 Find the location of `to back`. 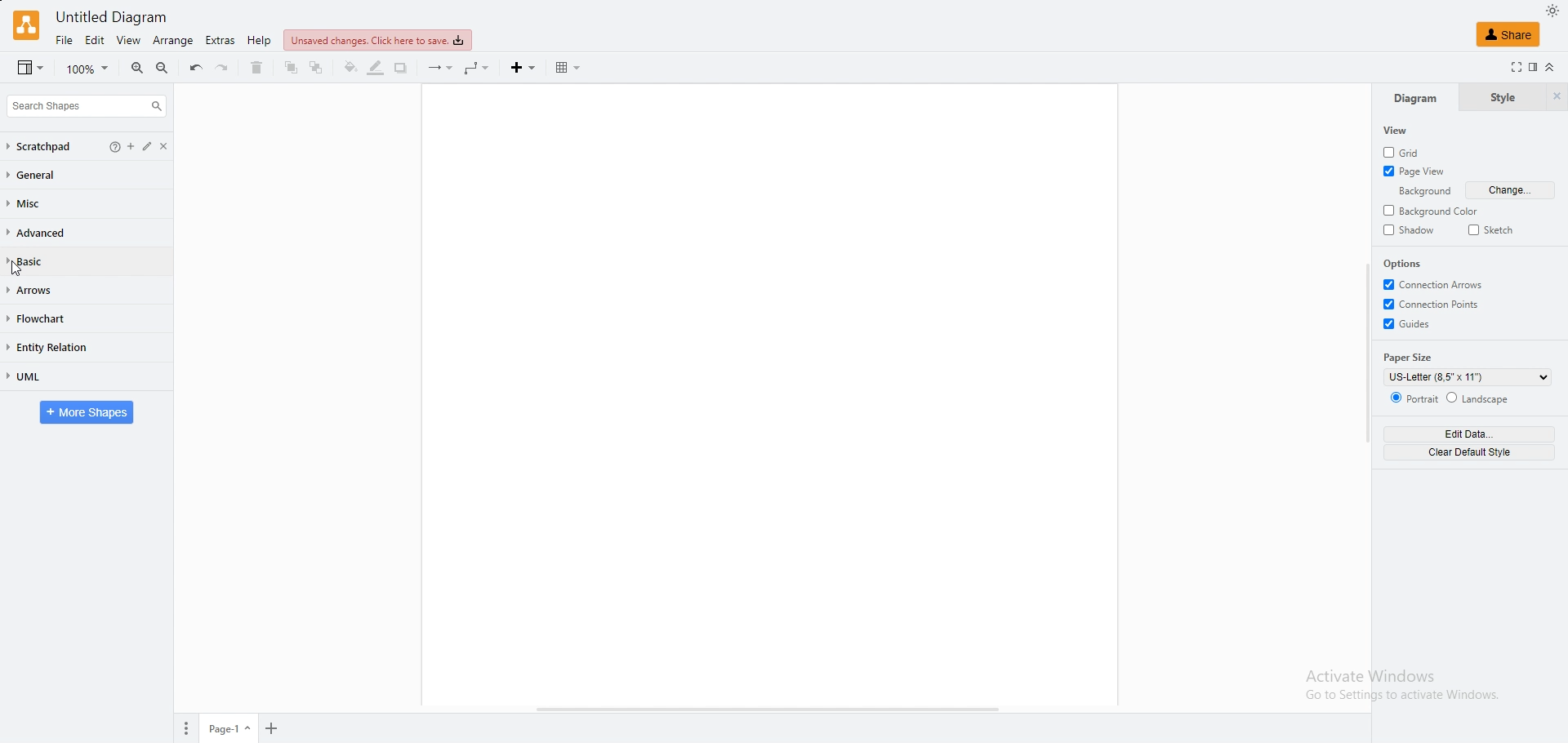

to back is located at coordinates (317, 68).